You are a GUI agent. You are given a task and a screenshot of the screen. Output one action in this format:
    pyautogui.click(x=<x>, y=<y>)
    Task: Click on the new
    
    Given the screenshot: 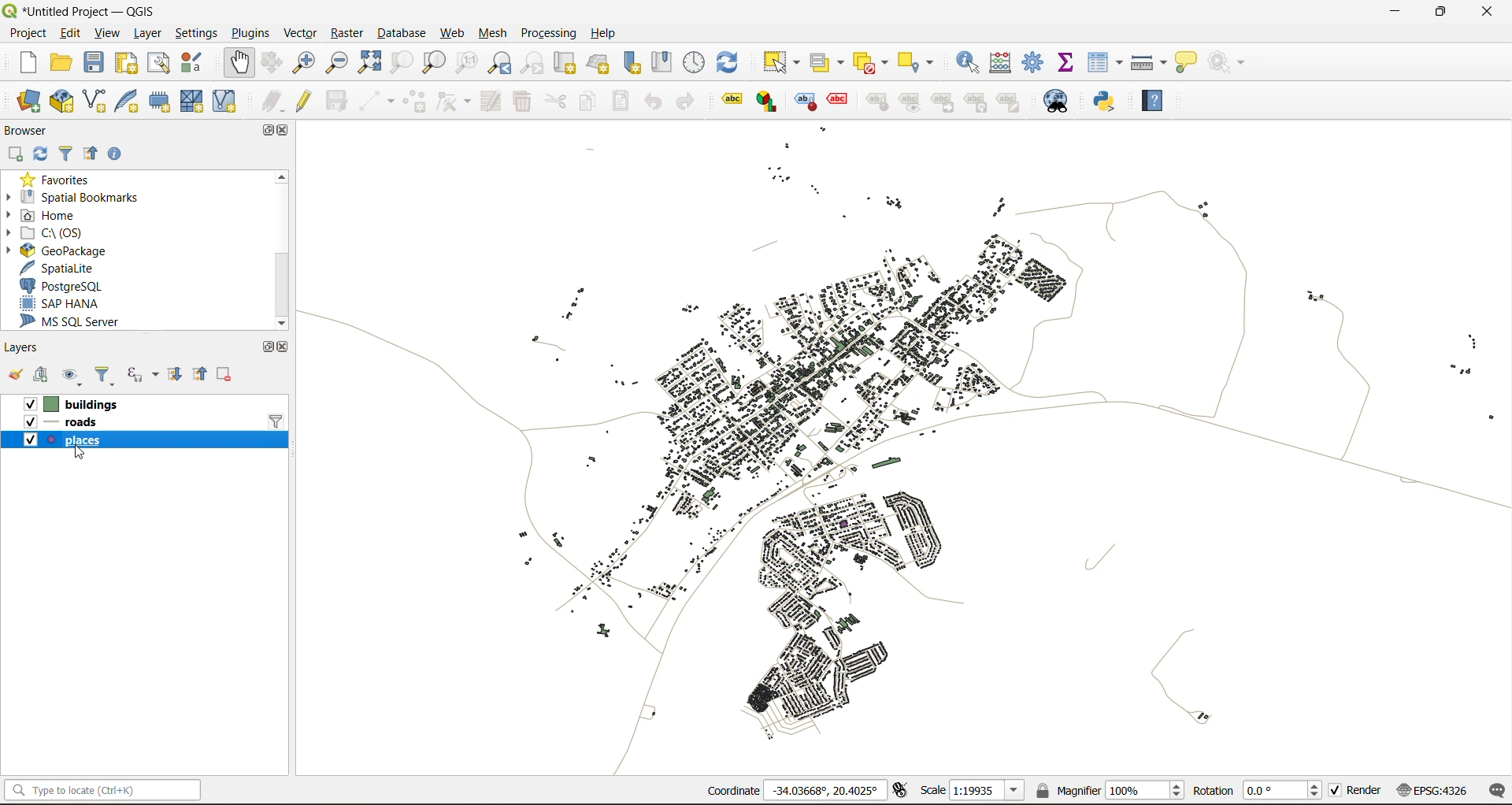 What is the action you would take?
    pyautogui.click(x=29, y=63)
    